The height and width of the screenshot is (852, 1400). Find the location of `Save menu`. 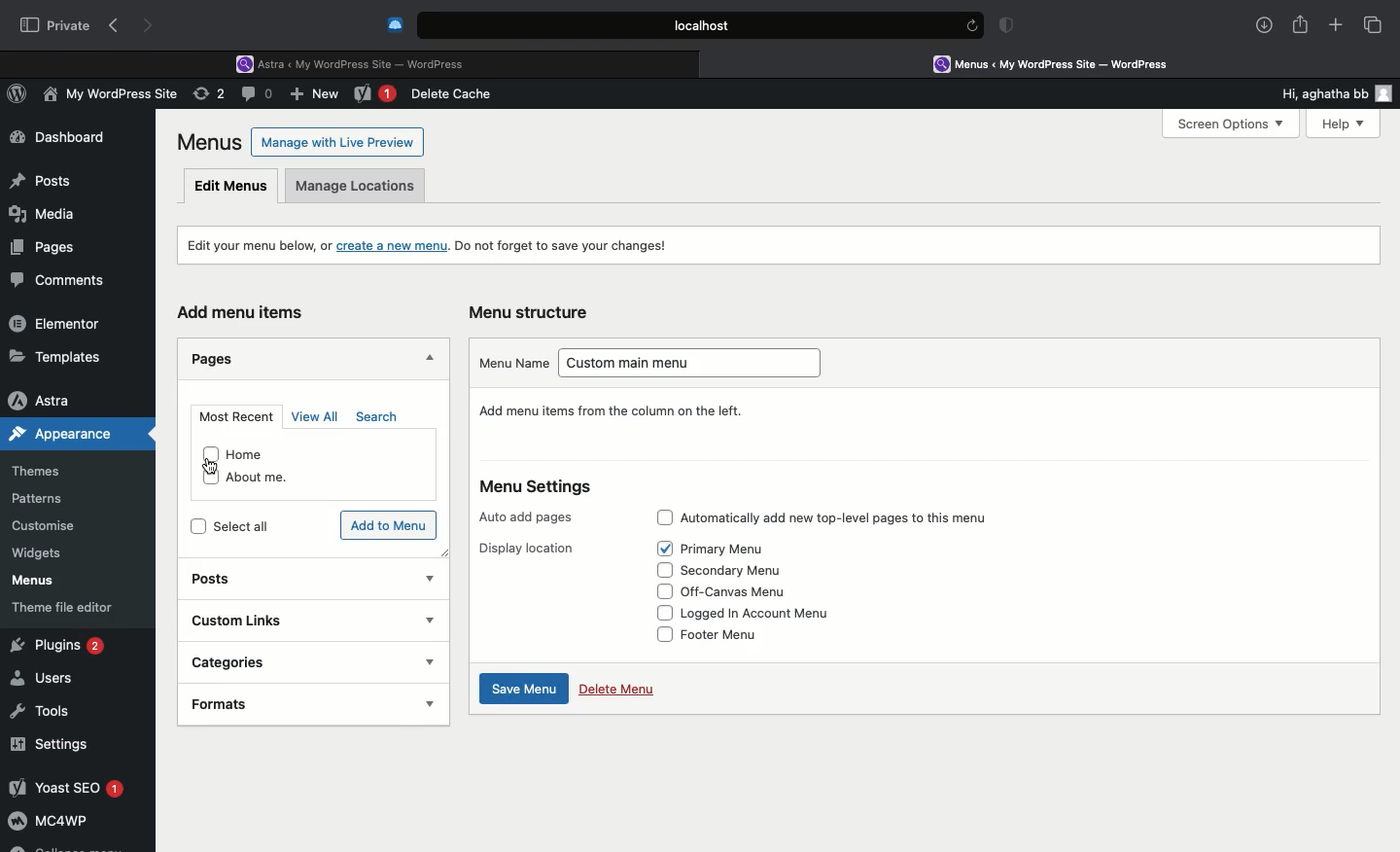

Save menu is located at coordinates (520, 690).